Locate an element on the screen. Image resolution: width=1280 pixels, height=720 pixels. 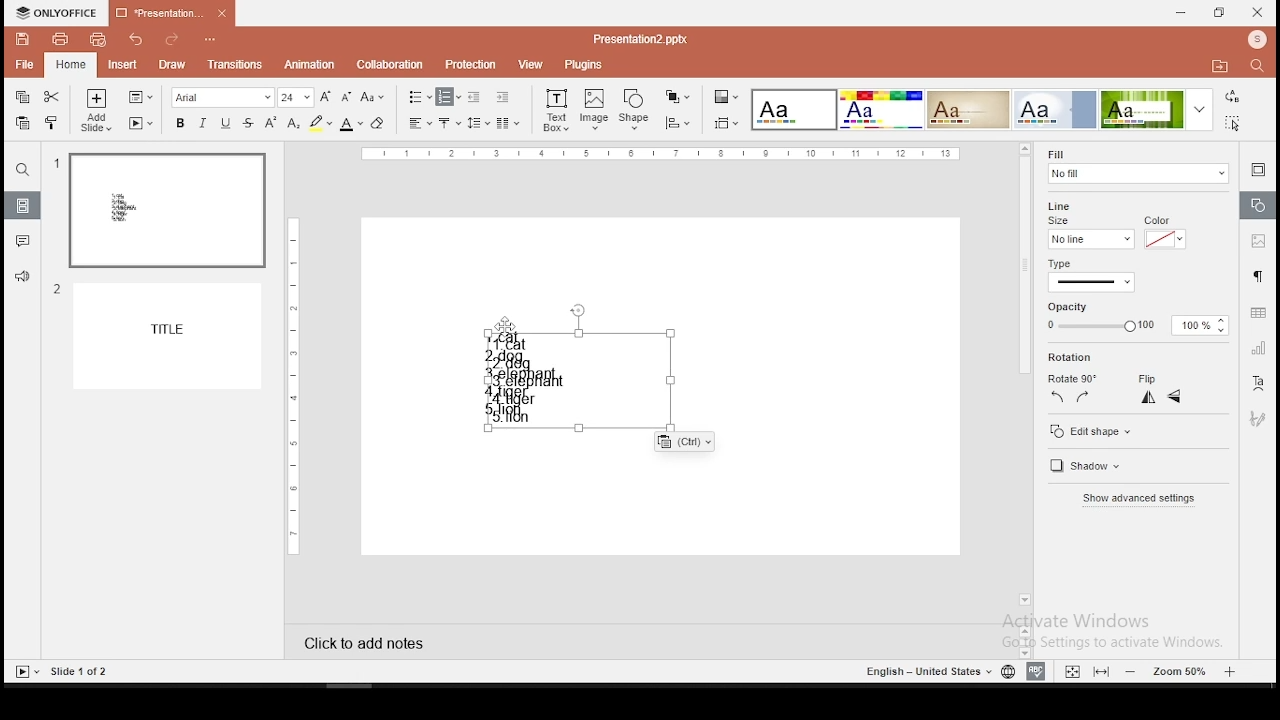
replace is located at coordinates (1233, 97).